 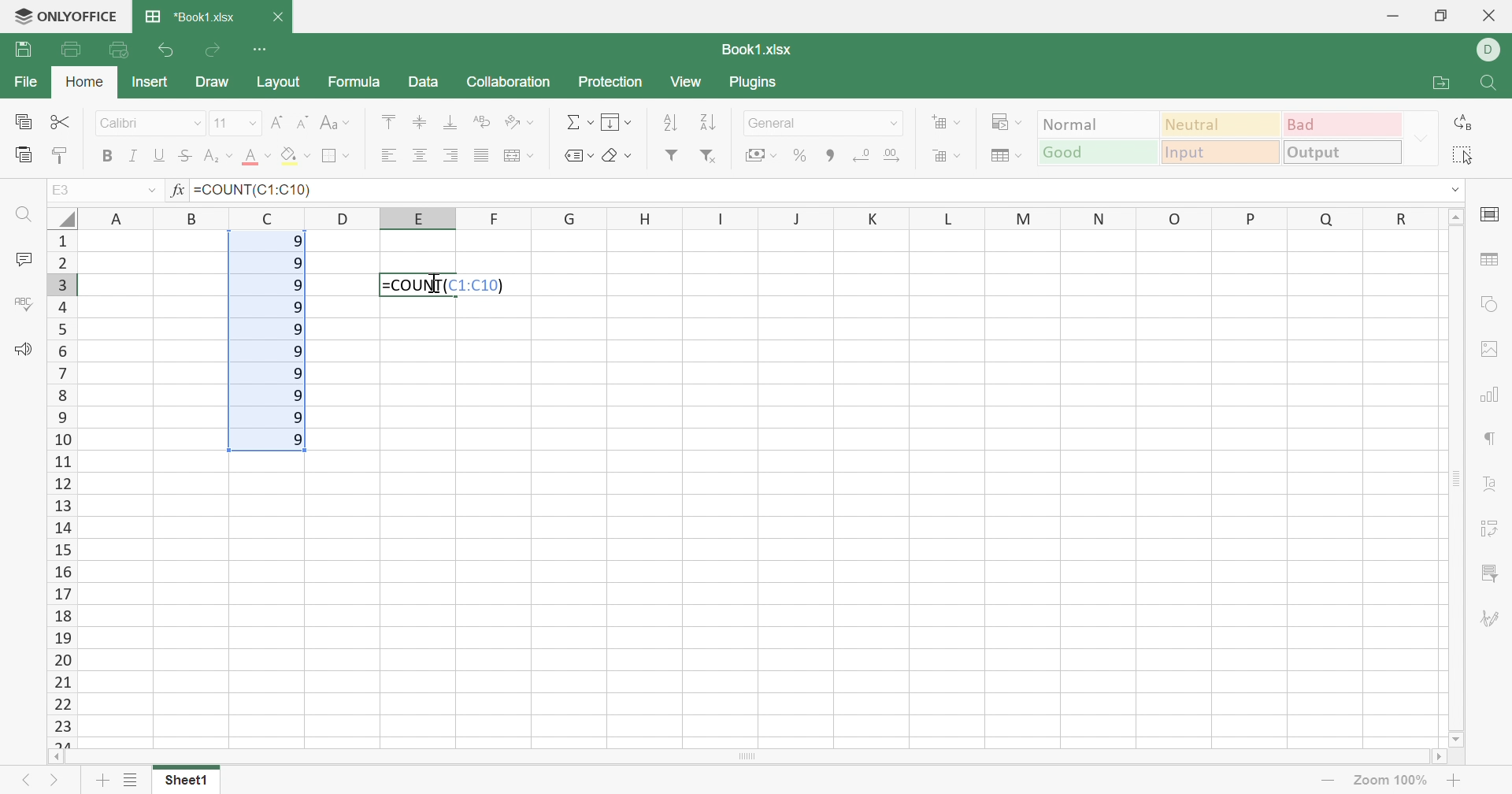 What do you see at coordinates (124, 124) in the screenshot?
I see `Calibri` at bounding box center [124, 124].